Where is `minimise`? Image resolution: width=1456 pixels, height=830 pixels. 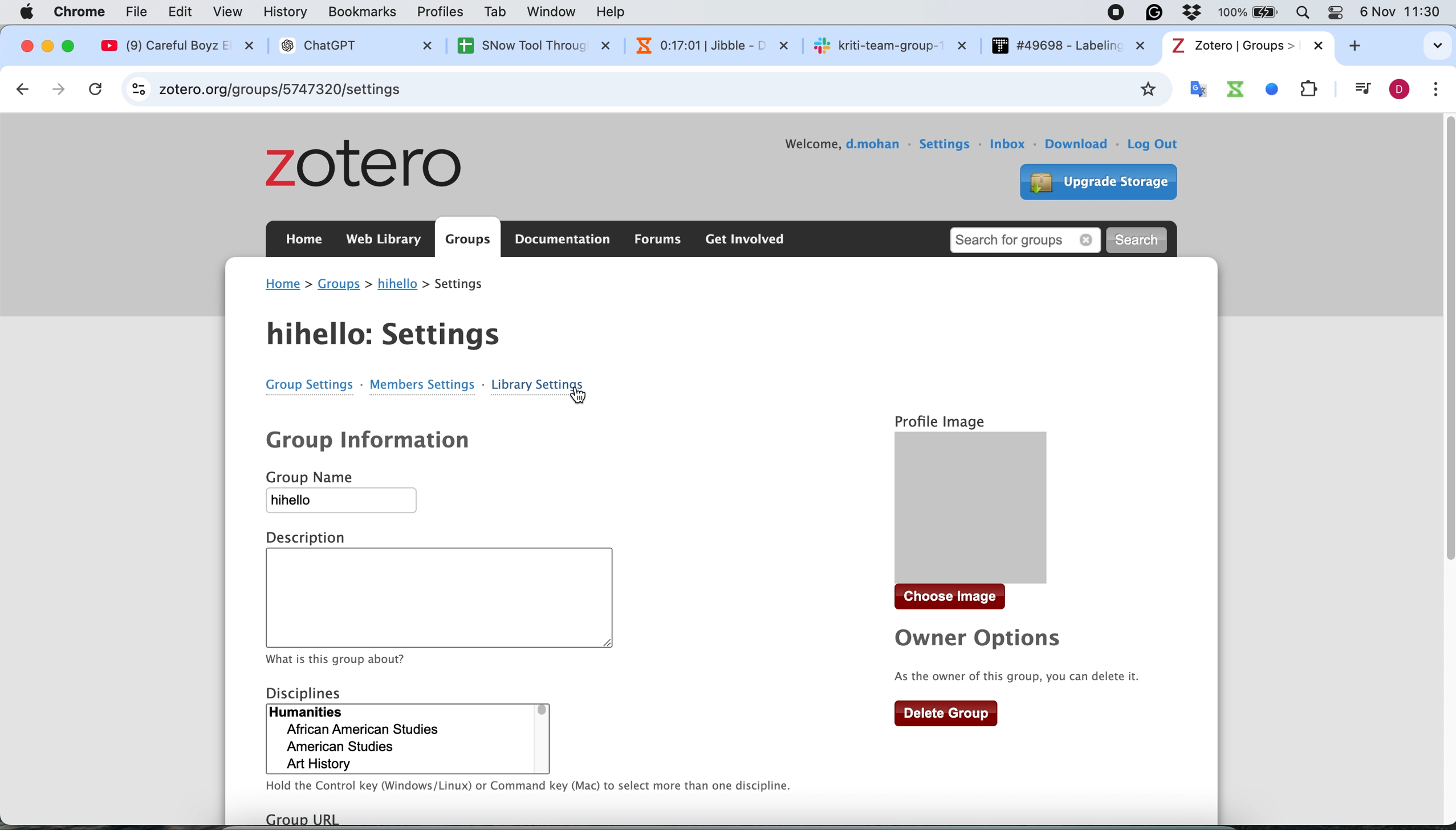
minimise is located at coordinates (48, 47).